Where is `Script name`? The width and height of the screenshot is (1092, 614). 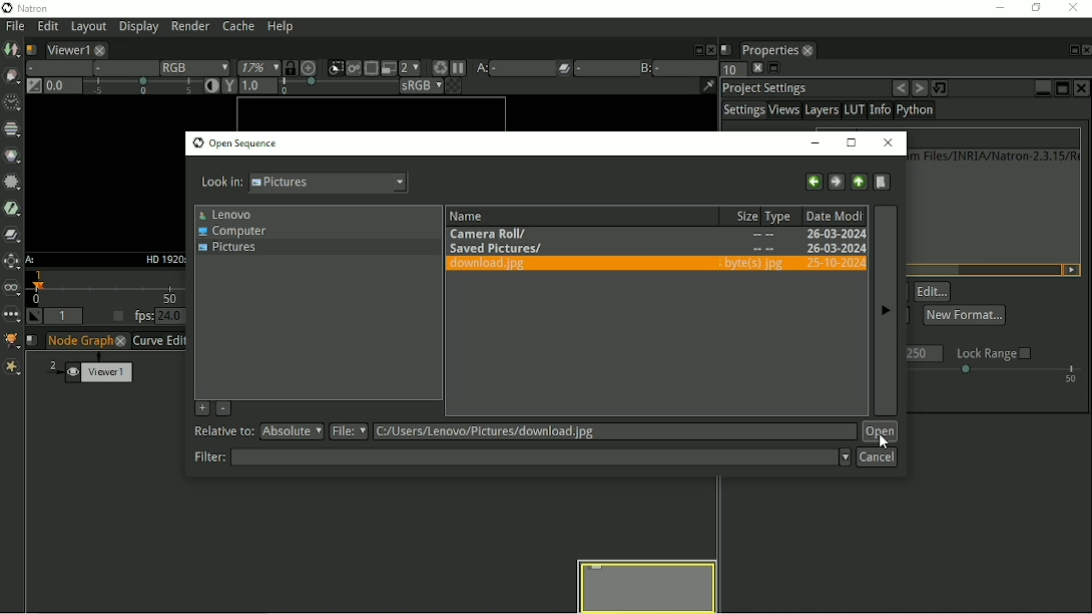 Script name is located at coordinates (33, 341).